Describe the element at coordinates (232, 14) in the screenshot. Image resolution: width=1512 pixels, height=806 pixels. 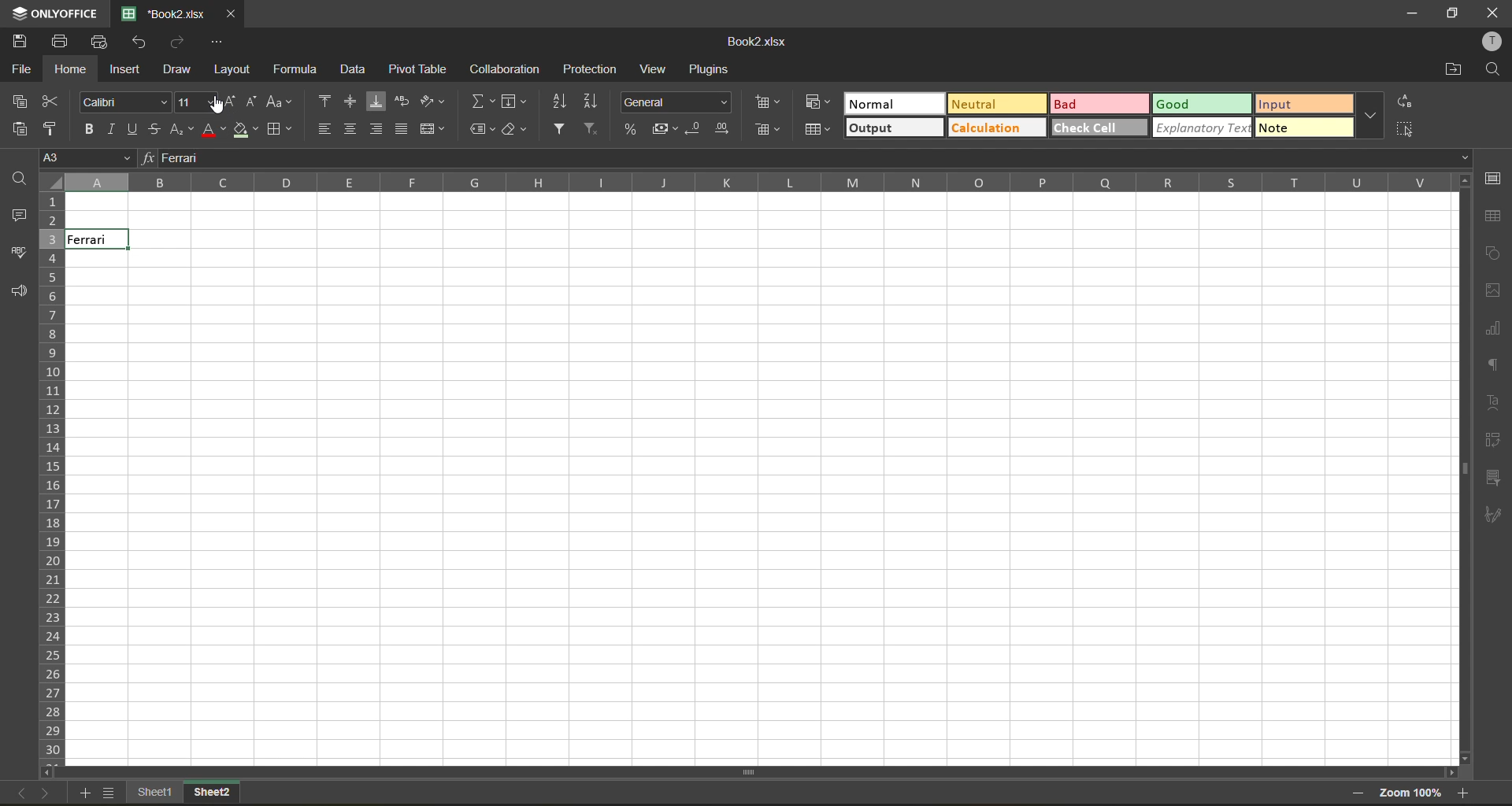
I see `close tab` at that location.